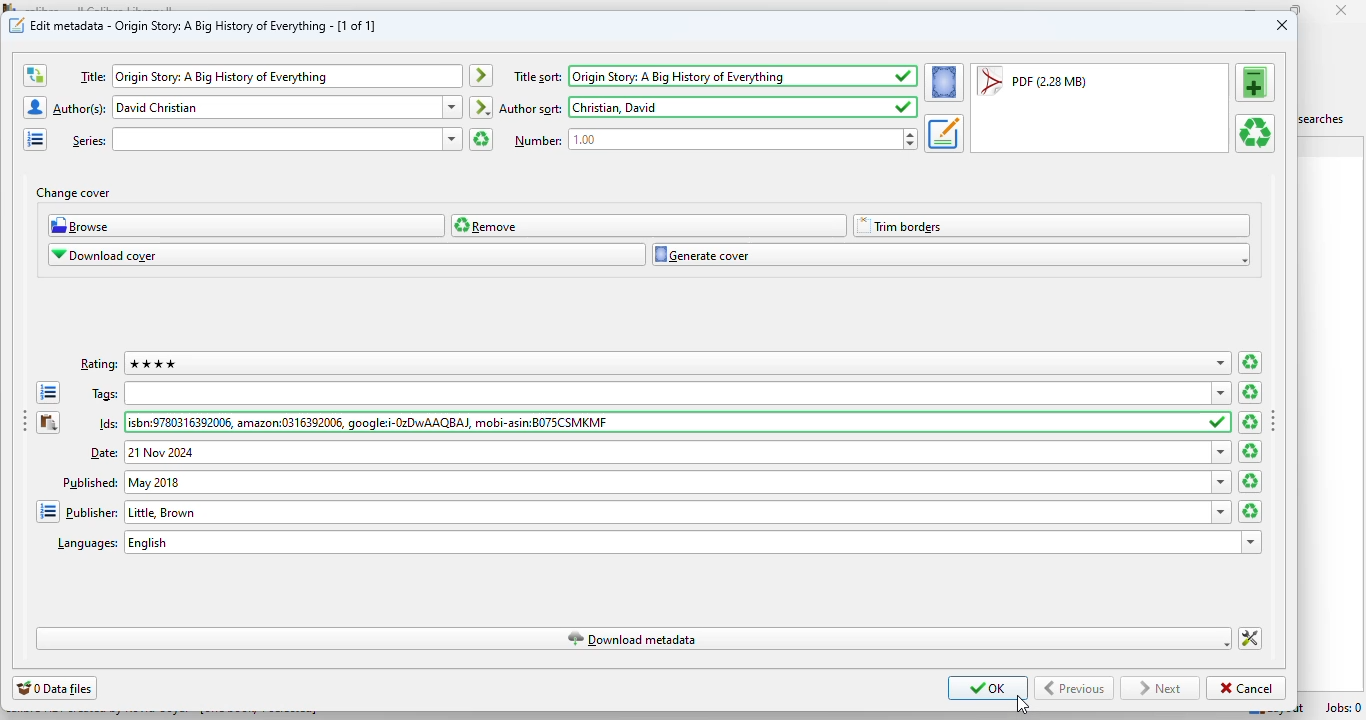  I want to click on increase or decrease numbers, so click(910, 138).